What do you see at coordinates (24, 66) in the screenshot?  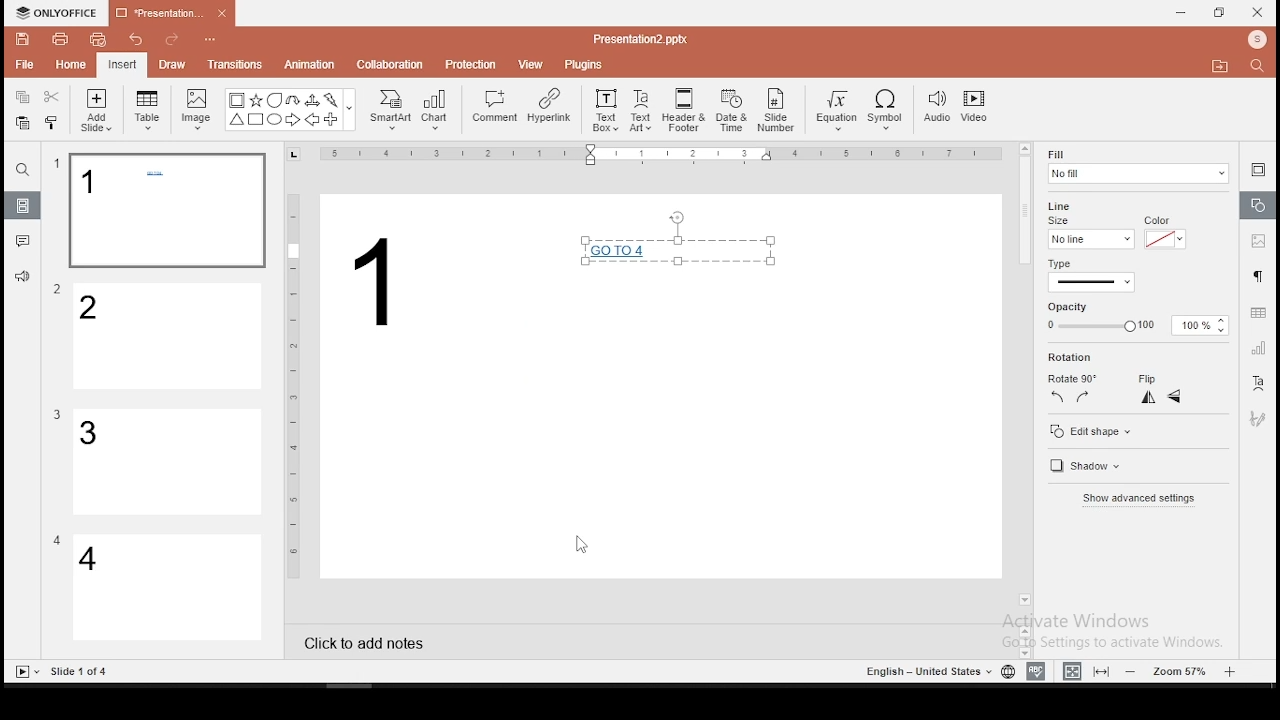 I see `file` at bounding box center [24, 66].